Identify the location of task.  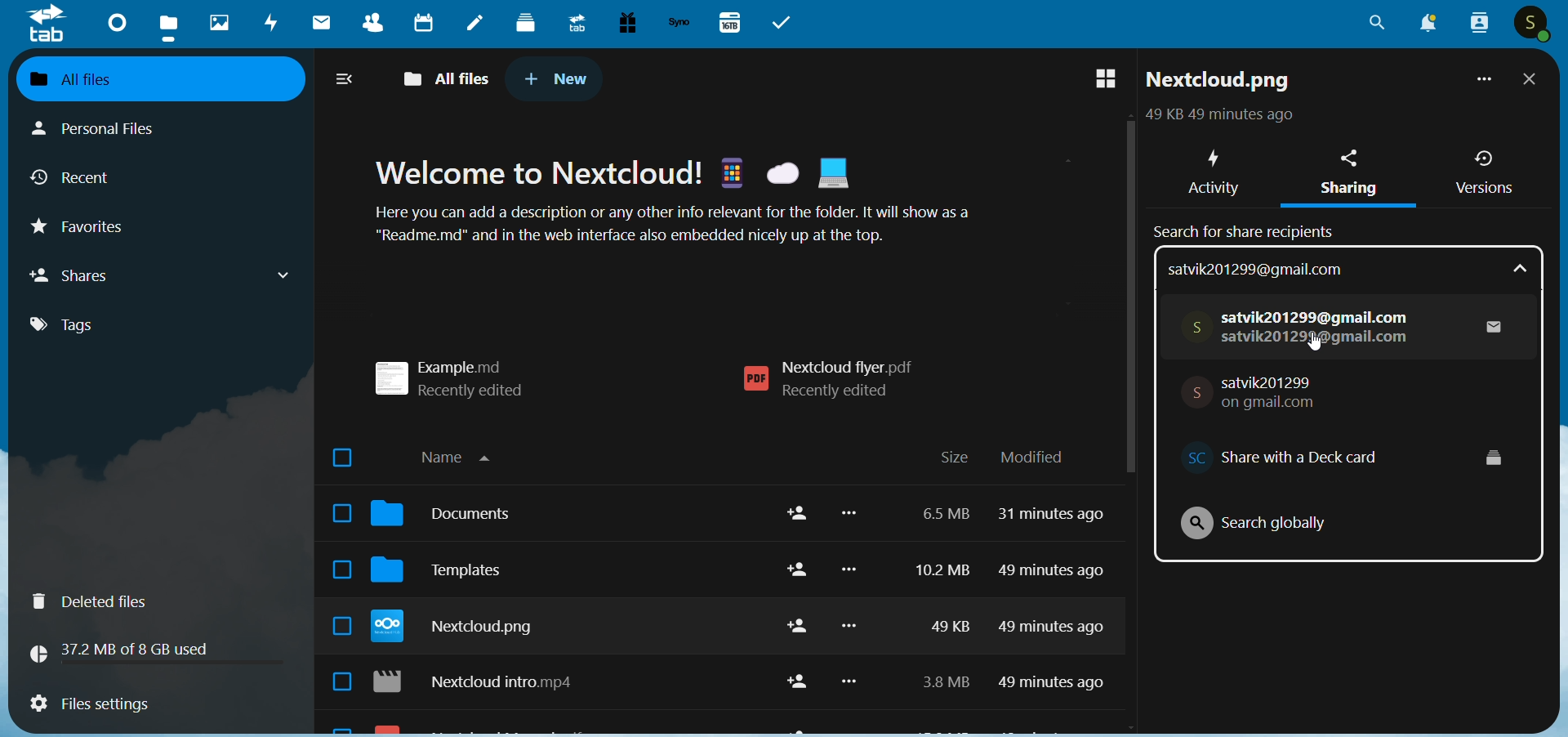
(786, 23).